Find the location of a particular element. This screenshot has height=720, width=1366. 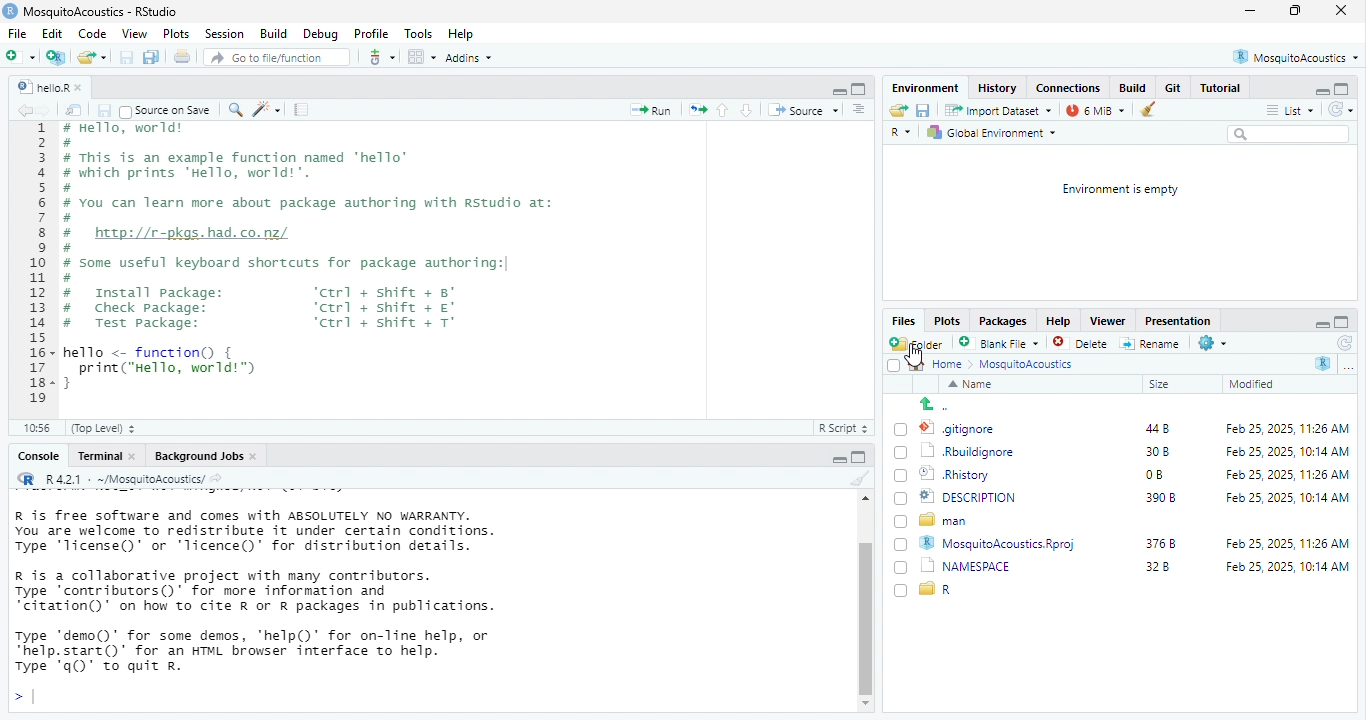

Build is located at coordinates (273, 33).